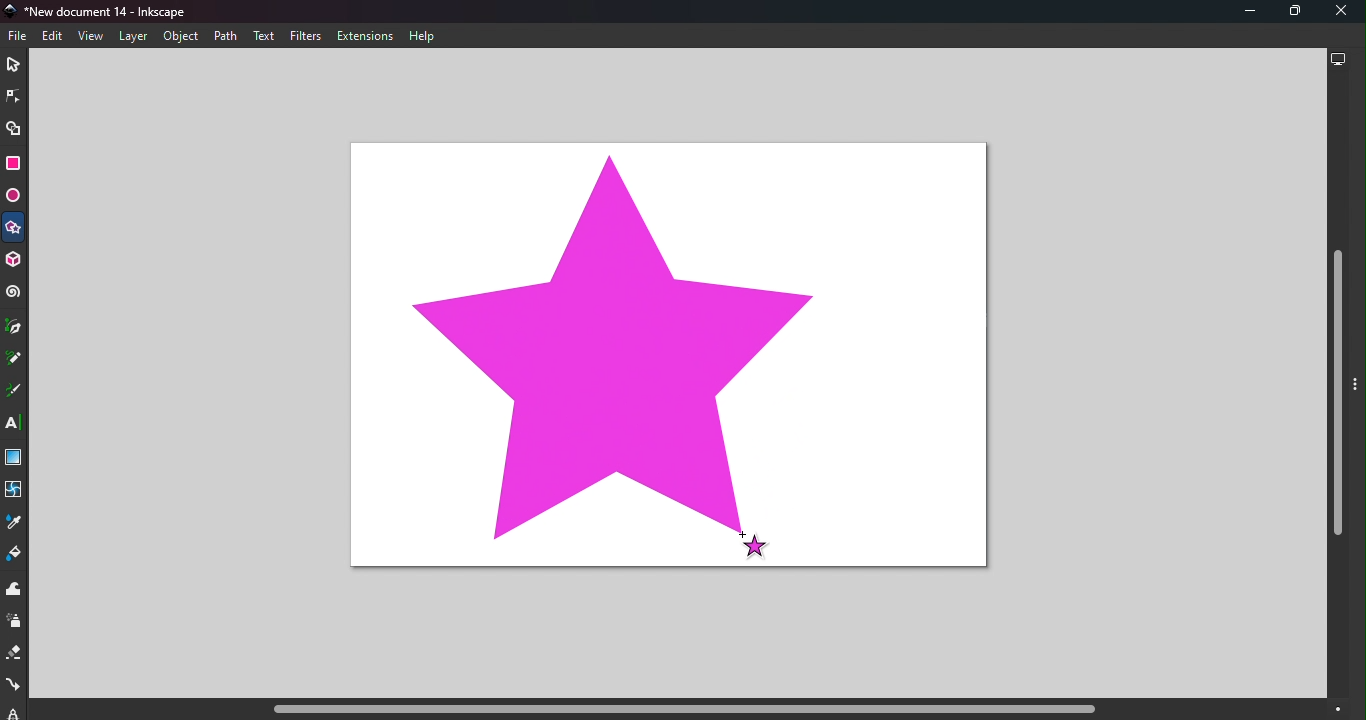  Describe the element at coordinates (17, 590) in the screenshot. I see `Tweak tool` at that location.